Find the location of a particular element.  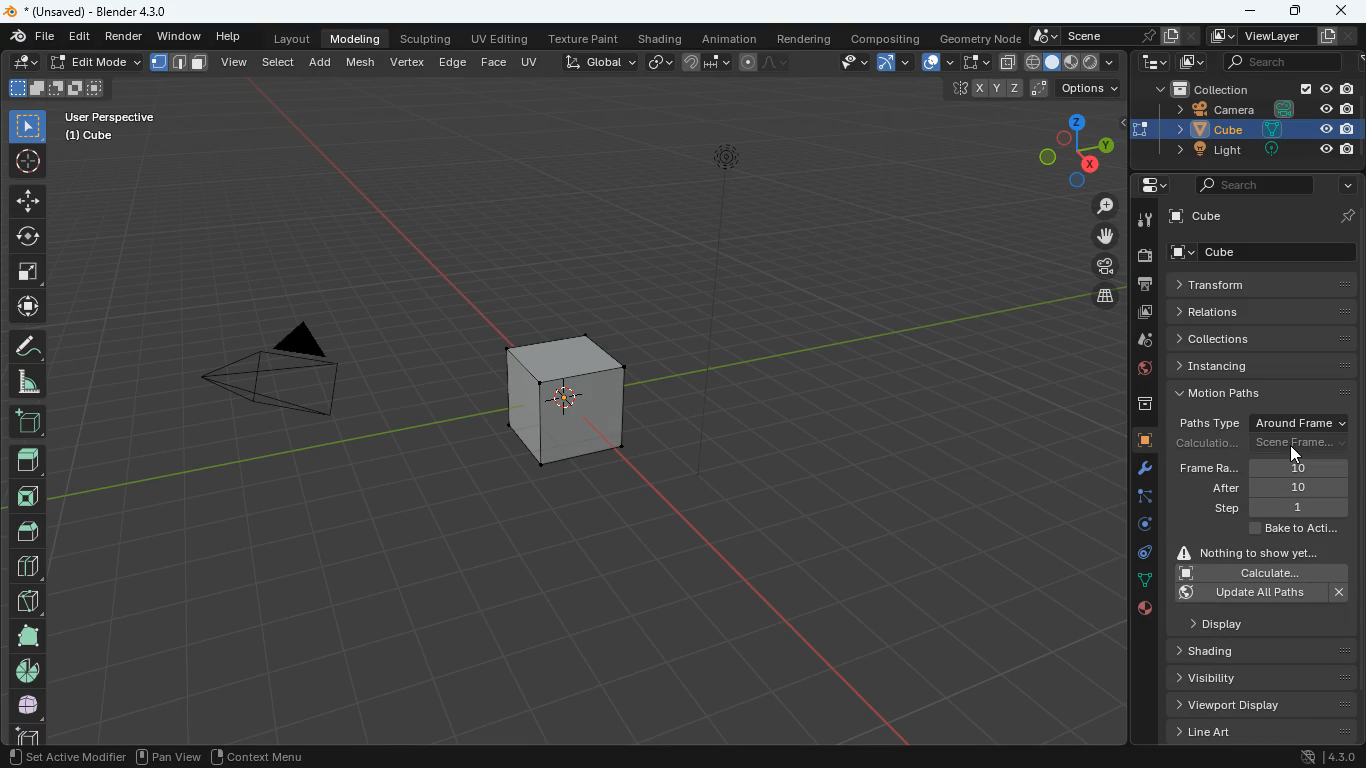

camera is located at coordinates (263, 380).